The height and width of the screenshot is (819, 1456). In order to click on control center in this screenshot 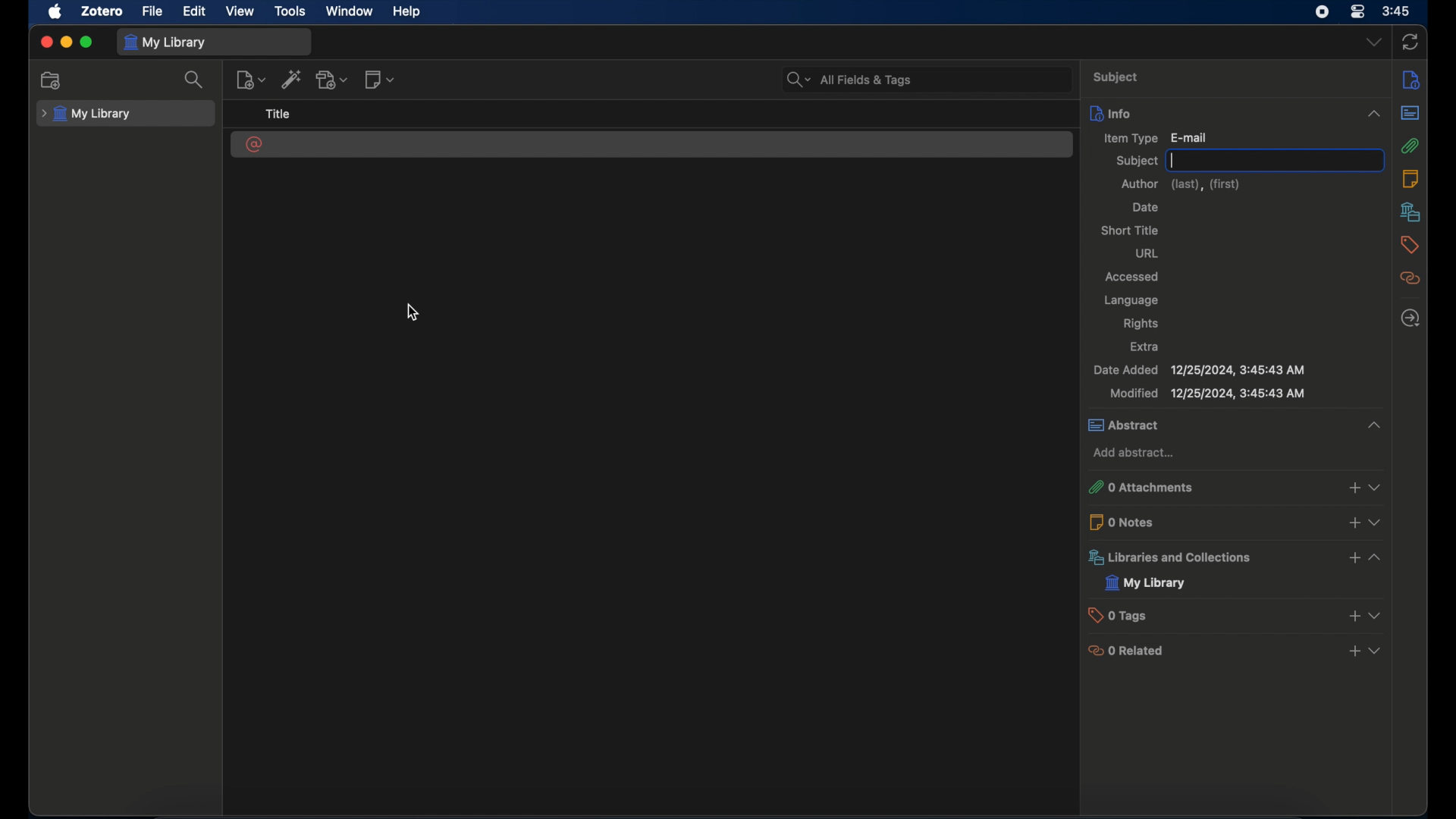, I will do `click(1357, 12)`.